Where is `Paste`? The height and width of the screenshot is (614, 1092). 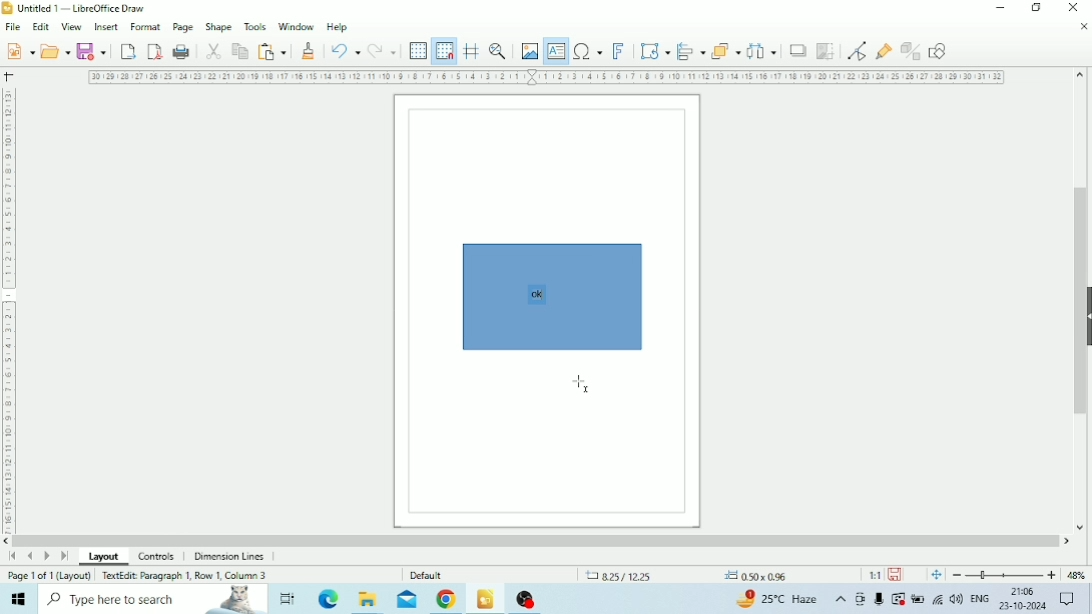
Paste is located at coordinates (272, 52).